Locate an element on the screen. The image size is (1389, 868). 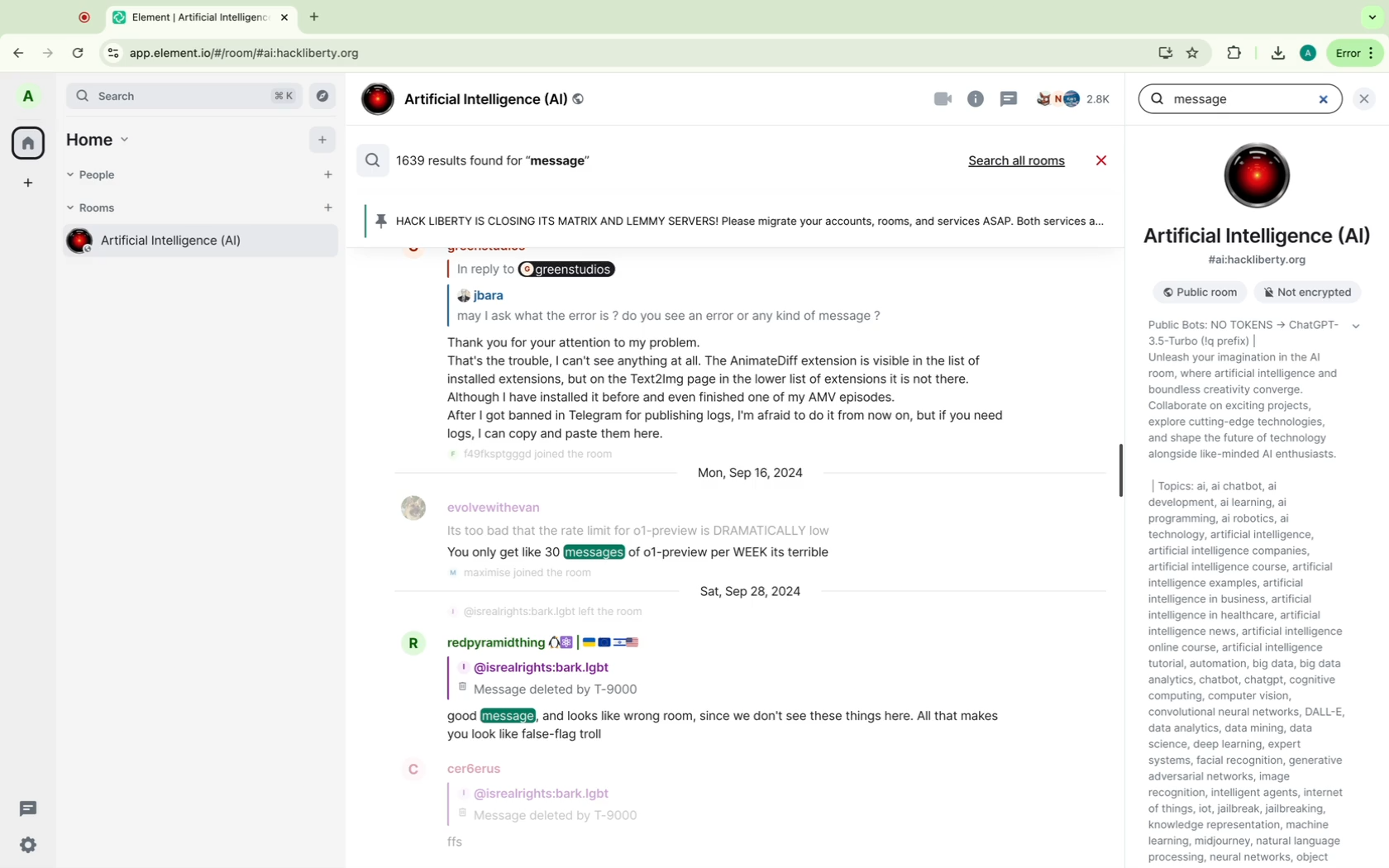
rooms is located at coordinates (97, 208).